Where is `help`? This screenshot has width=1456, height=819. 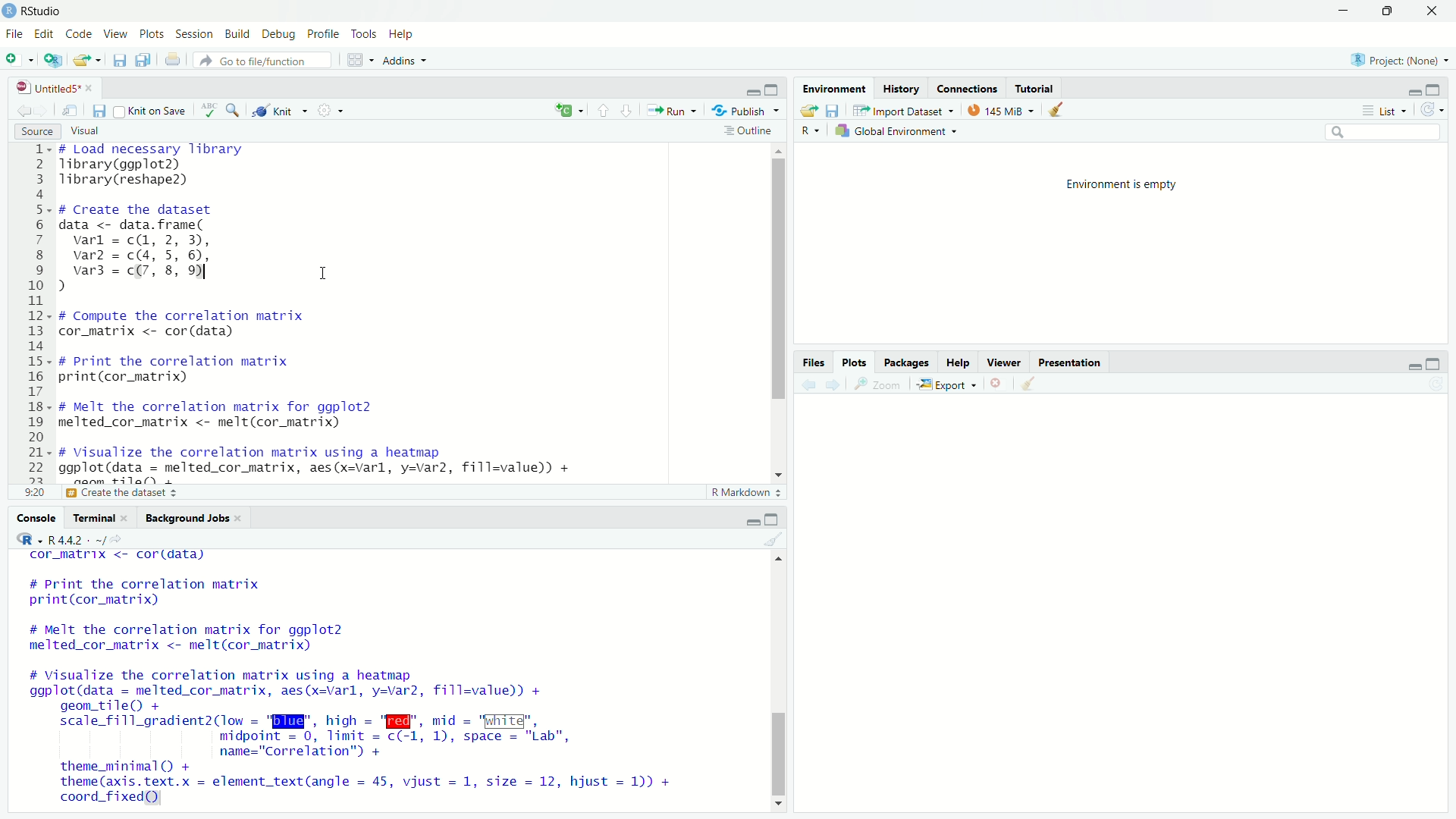 help is located at coordinates (959, 362).